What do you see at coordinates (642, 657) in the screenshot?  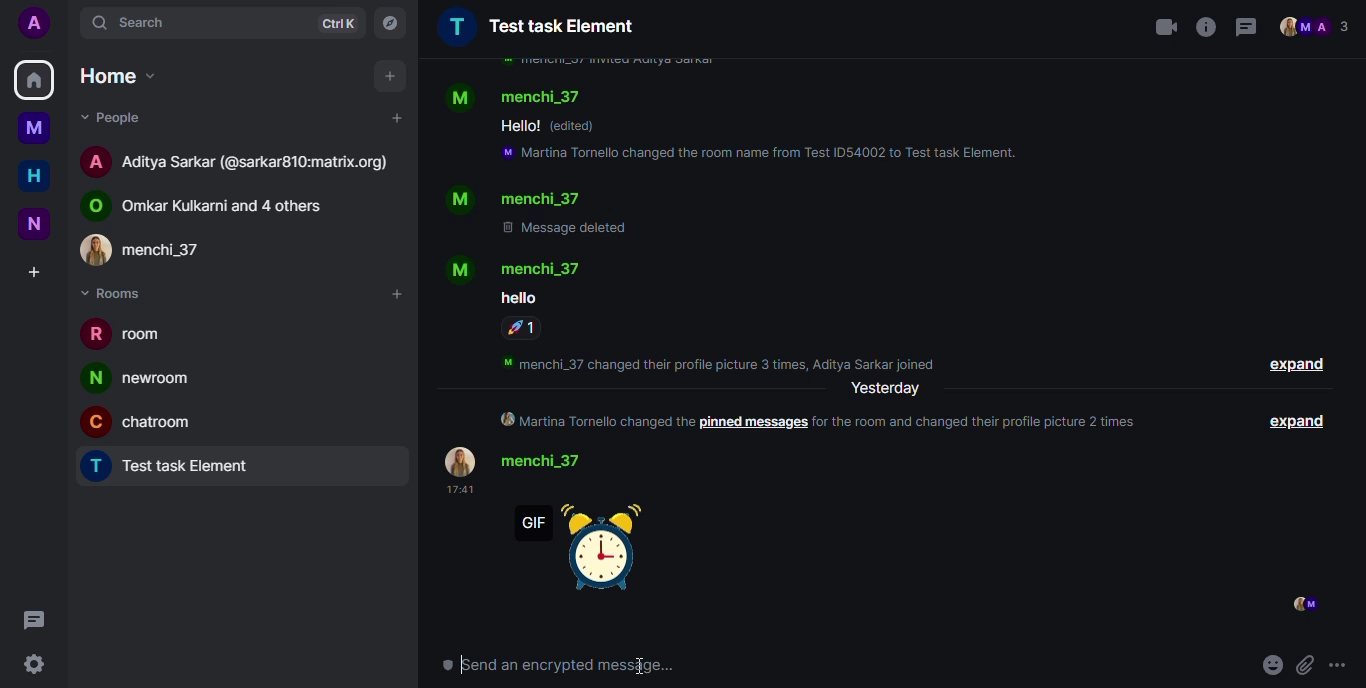 I see `cursor` at bounding box center [642, 657].